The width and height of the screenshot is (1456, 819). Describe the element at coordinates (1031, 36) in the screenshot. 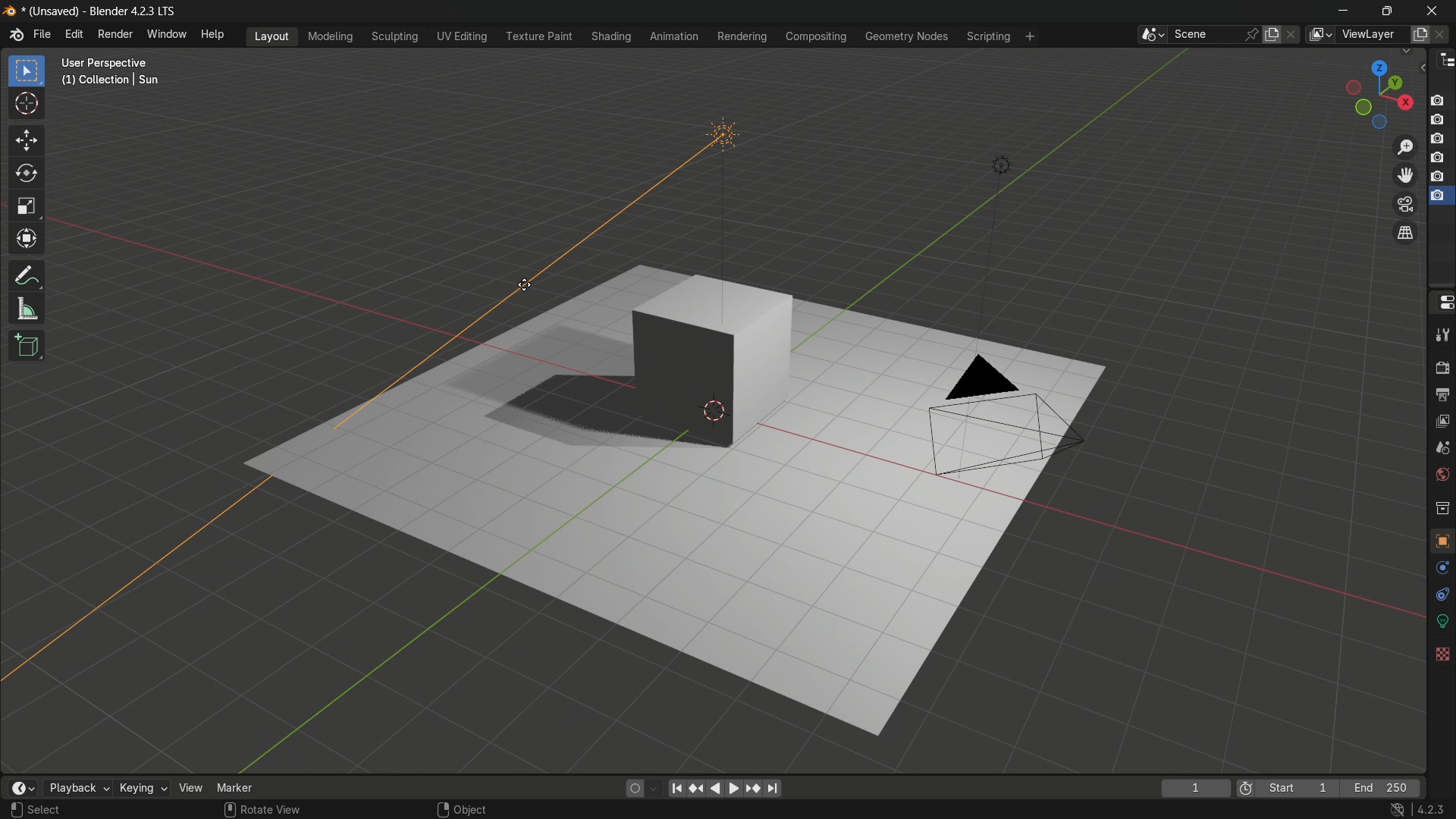

I see `add workplace` at that location.